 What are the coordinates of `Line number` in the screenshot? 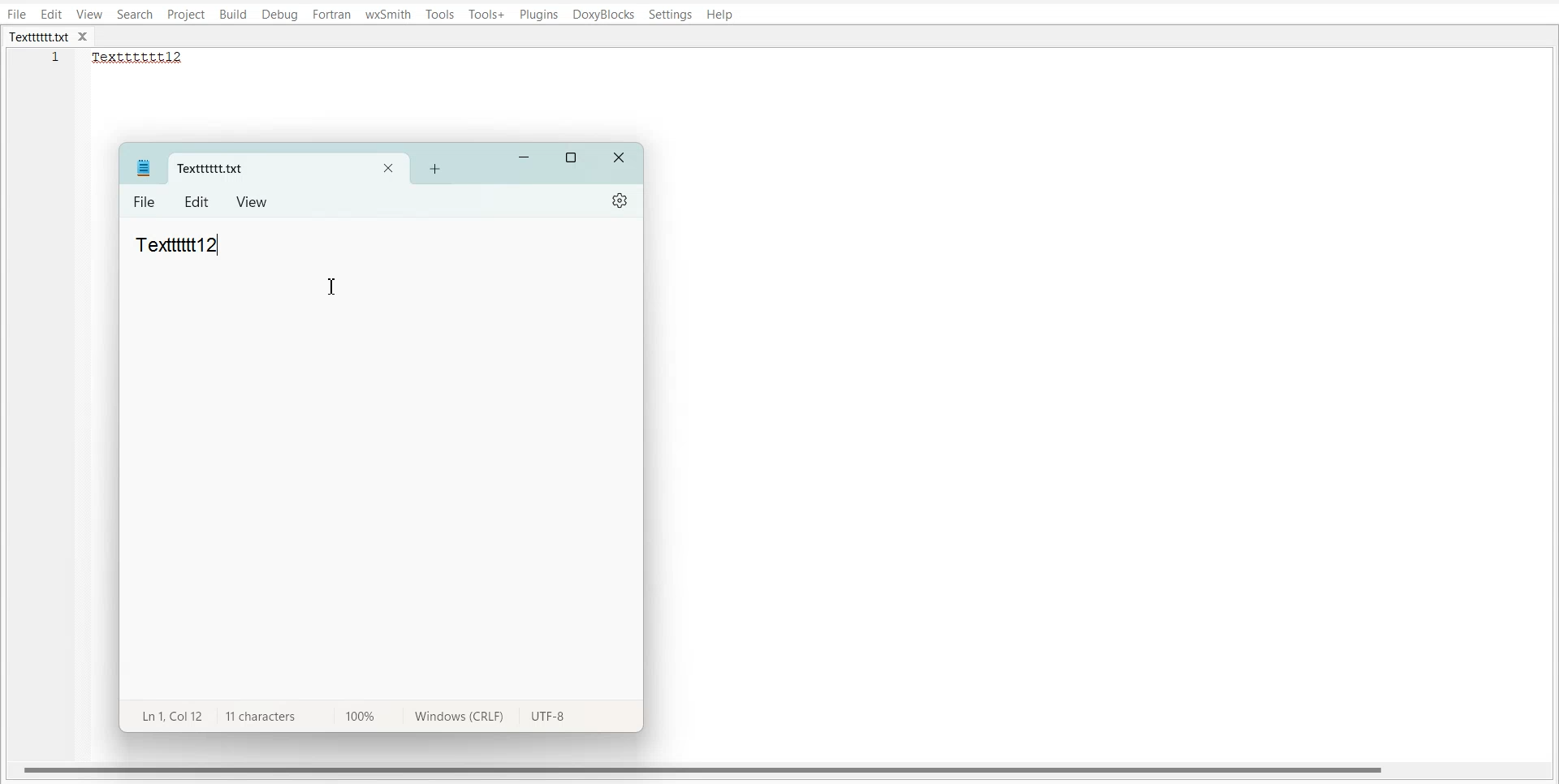 It's located at (57, 62).